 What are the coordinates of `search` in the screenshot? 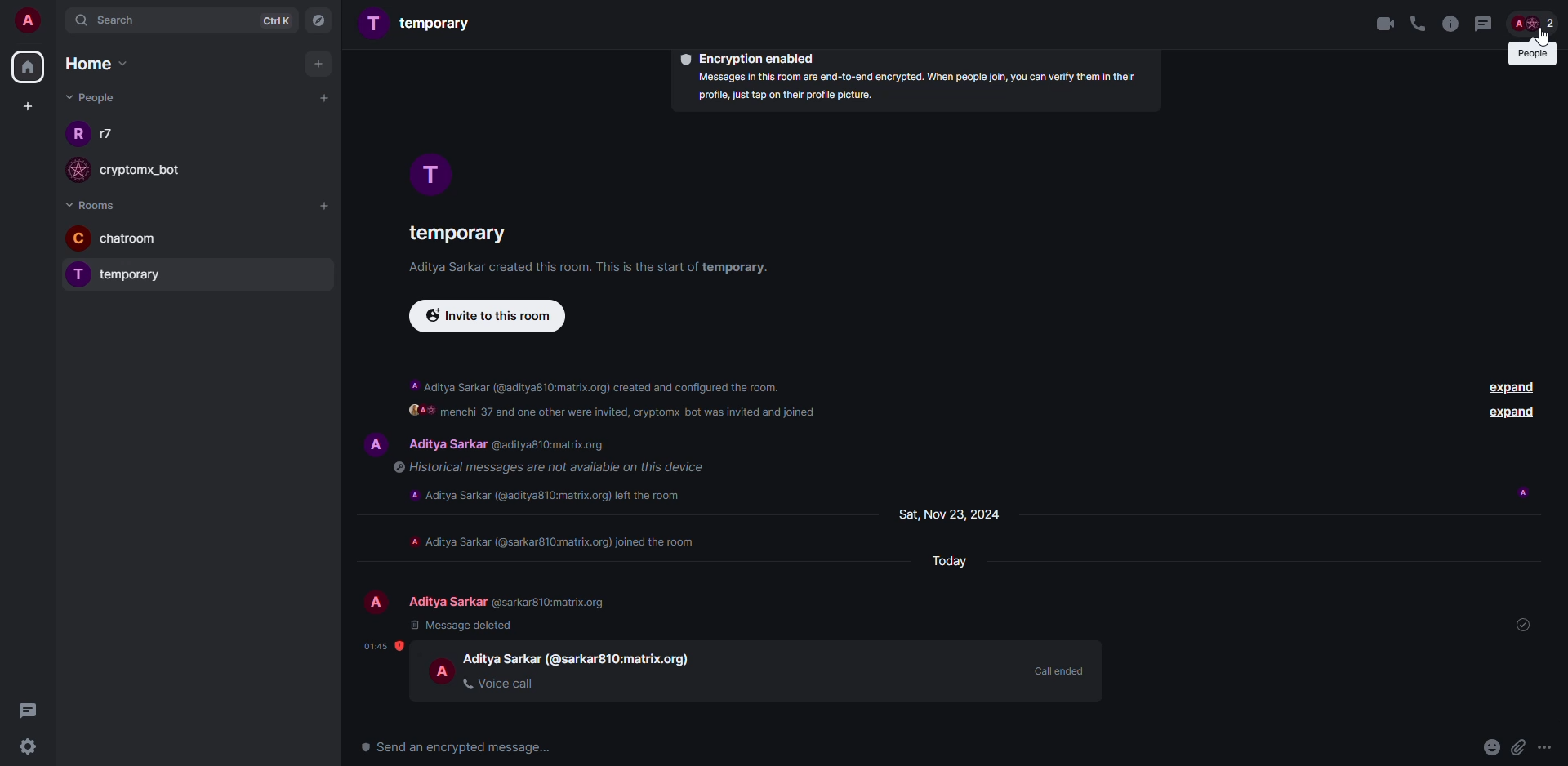 It's located at (111, 24).